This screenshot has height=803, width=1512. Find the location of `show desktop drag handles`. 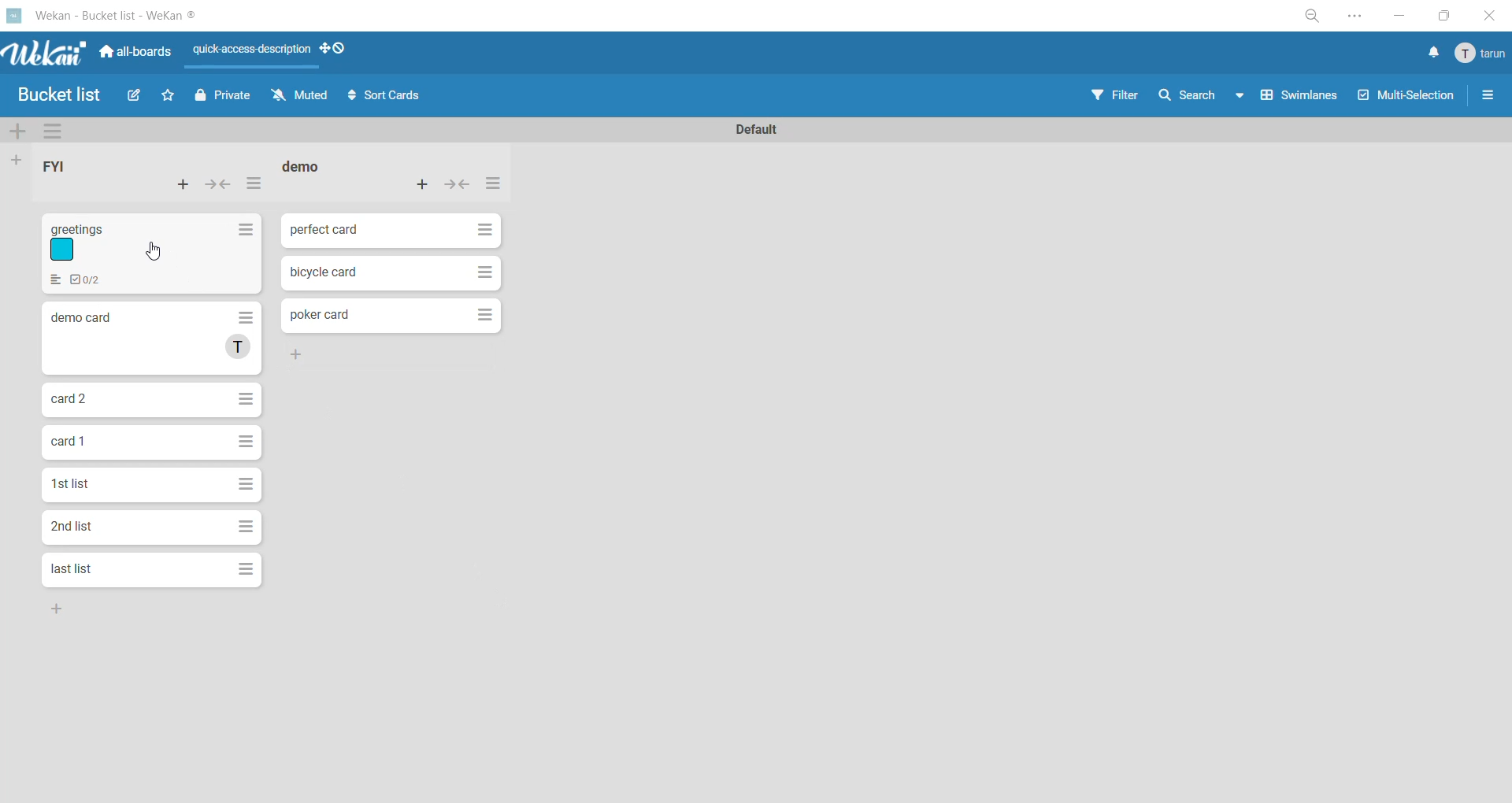

show desktop drag handles is located at coordinates (339, 52).